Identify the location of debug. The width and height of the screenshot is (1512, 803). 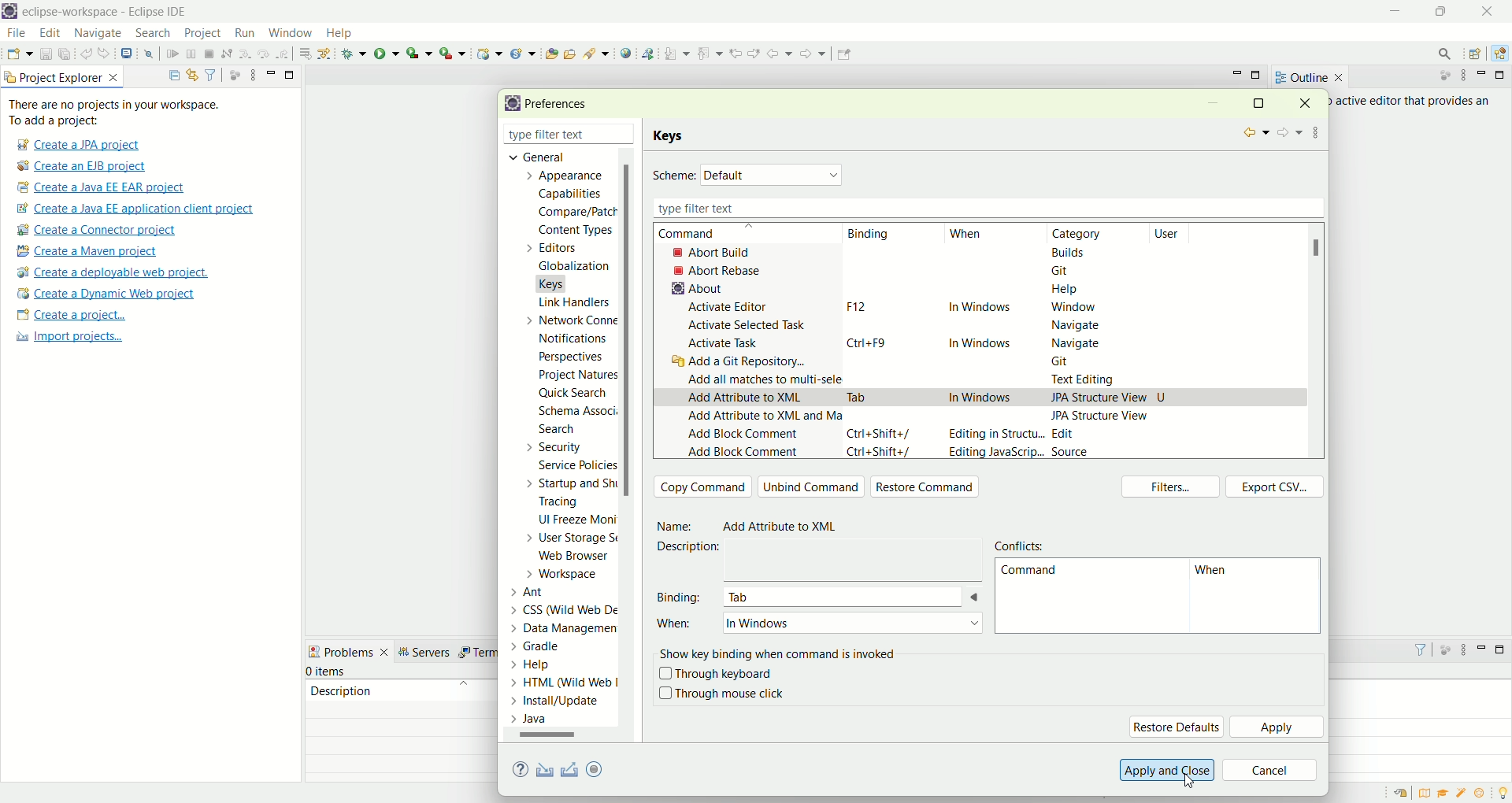
(354, 54).